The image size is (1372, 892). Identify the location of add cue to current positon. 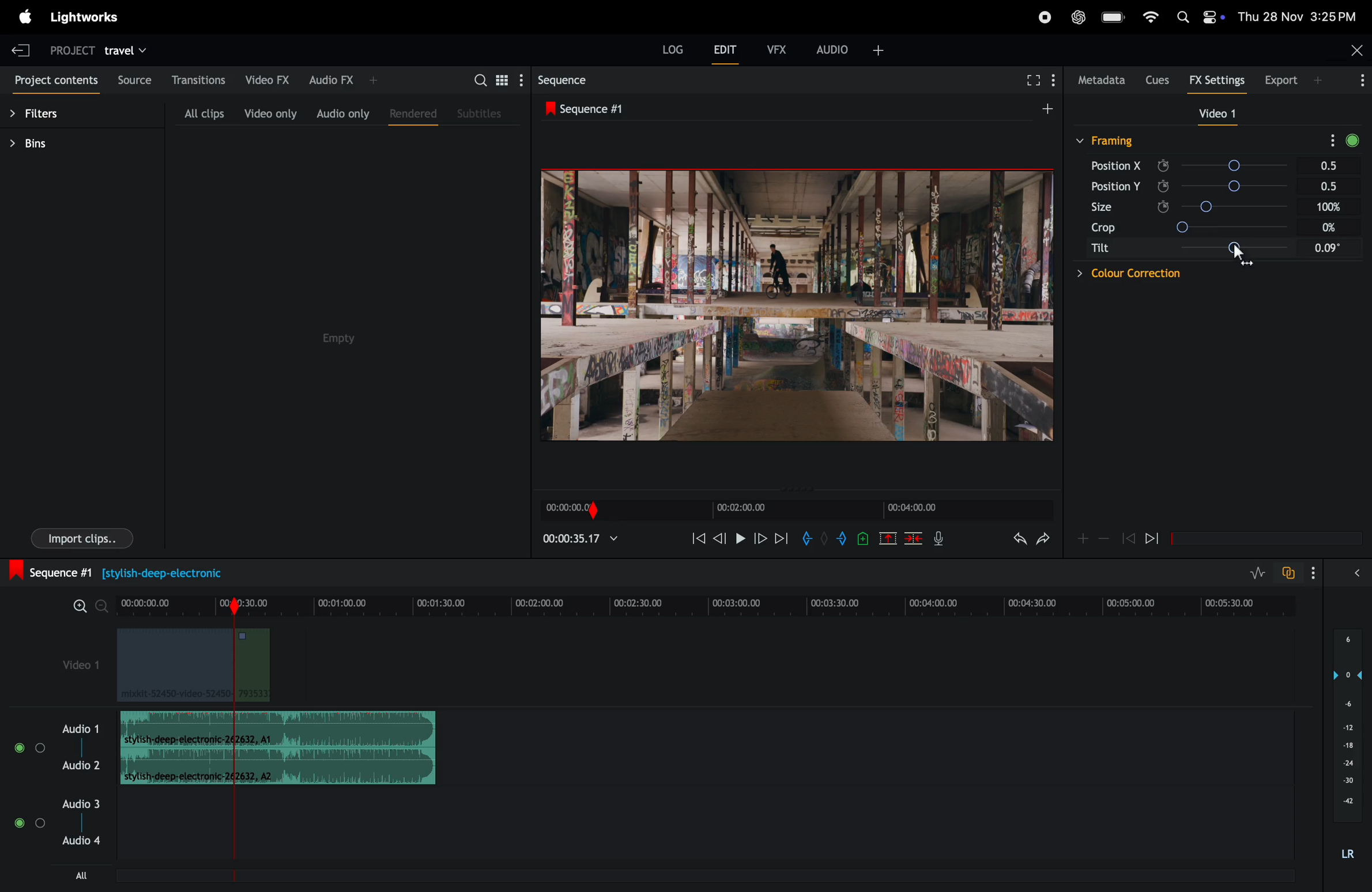
(864, 538).